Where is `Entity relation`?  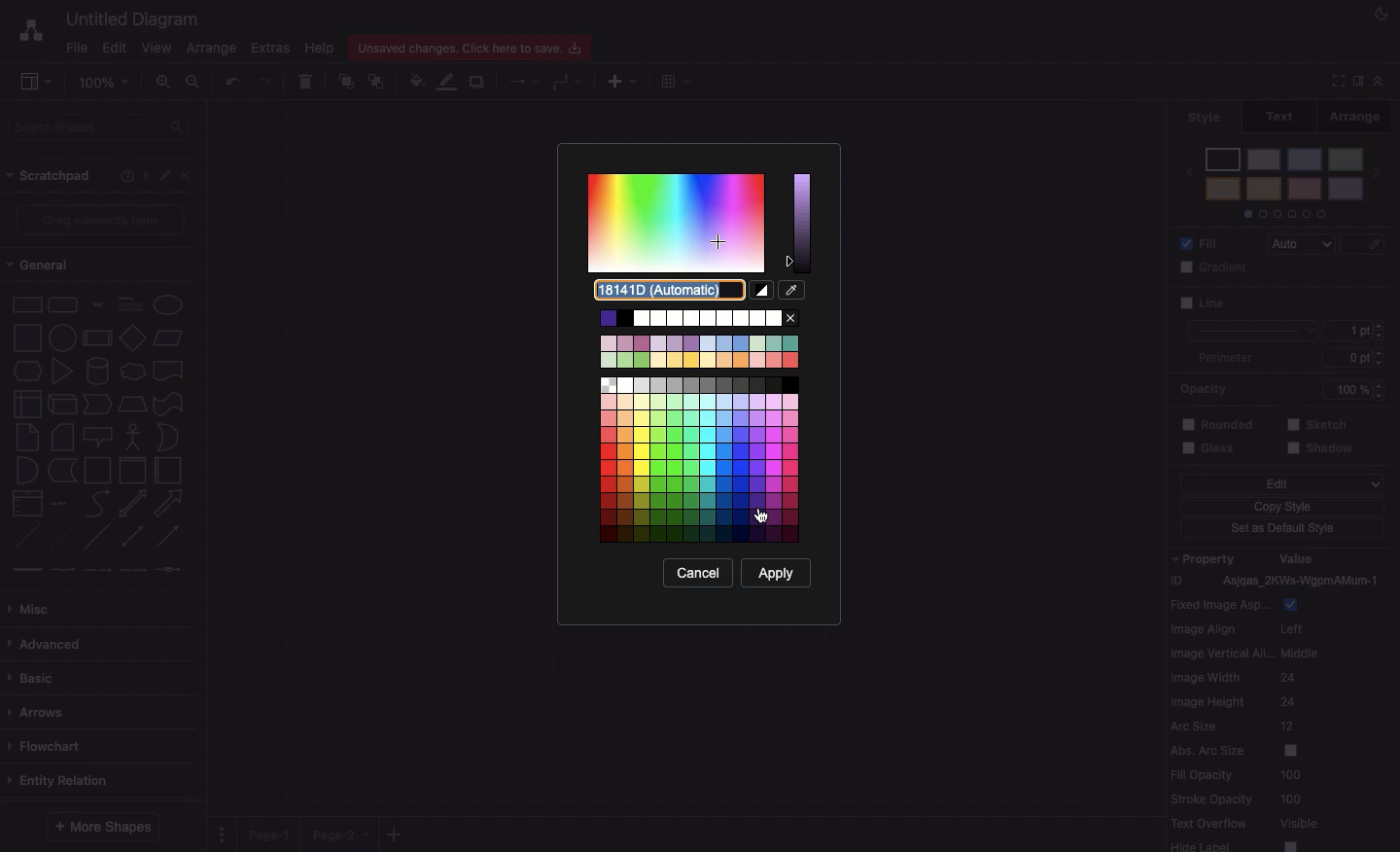
Entity relation is located at coordinates (62, 778).